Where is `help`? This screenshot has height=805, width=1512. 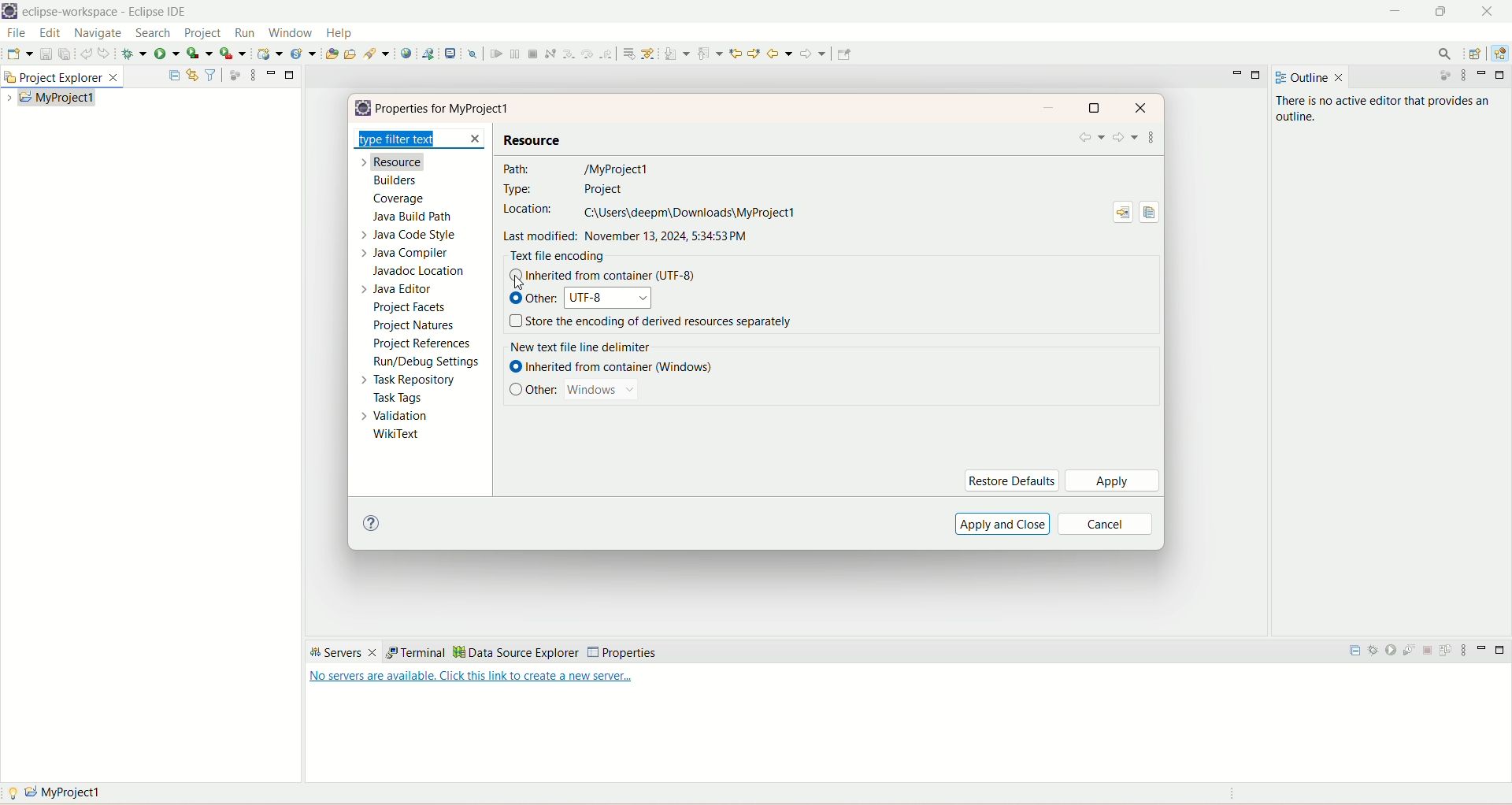
help is located at coordinates (338, 33).